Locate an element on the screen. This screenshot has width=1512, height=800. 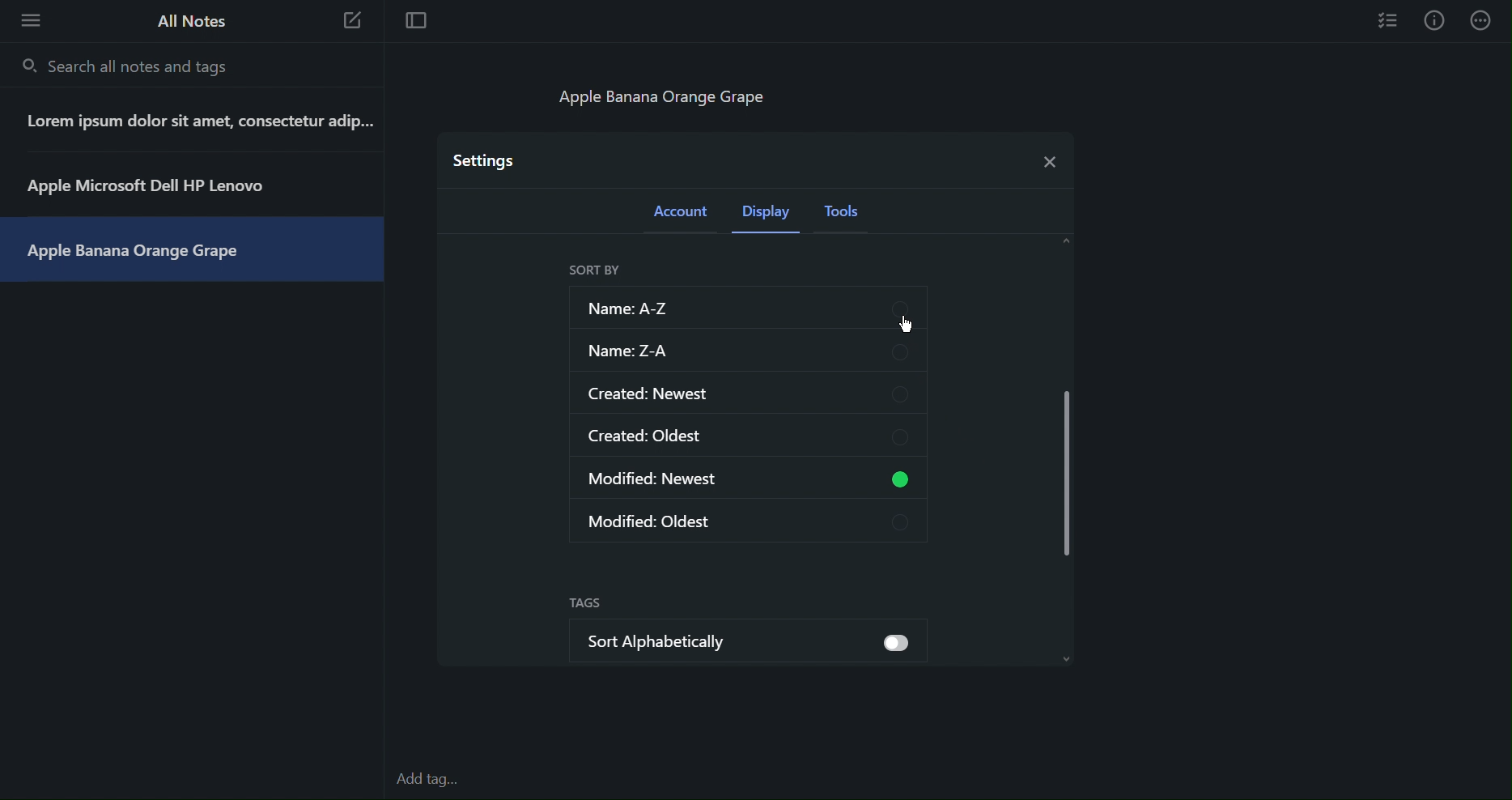
Add tag is located at coordinates (435, 781).